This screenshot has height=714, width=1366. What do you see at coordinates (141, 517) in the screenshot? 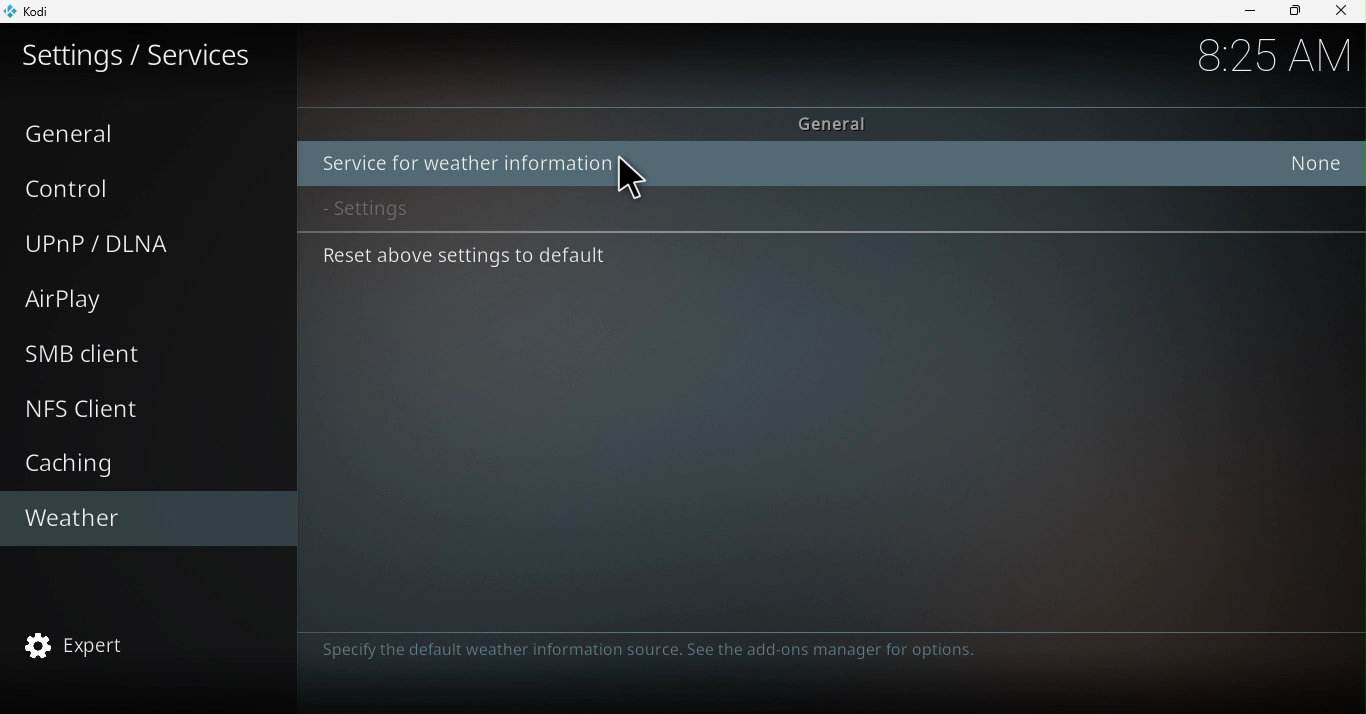
I see `Weather` at bounding box center [141, 517].